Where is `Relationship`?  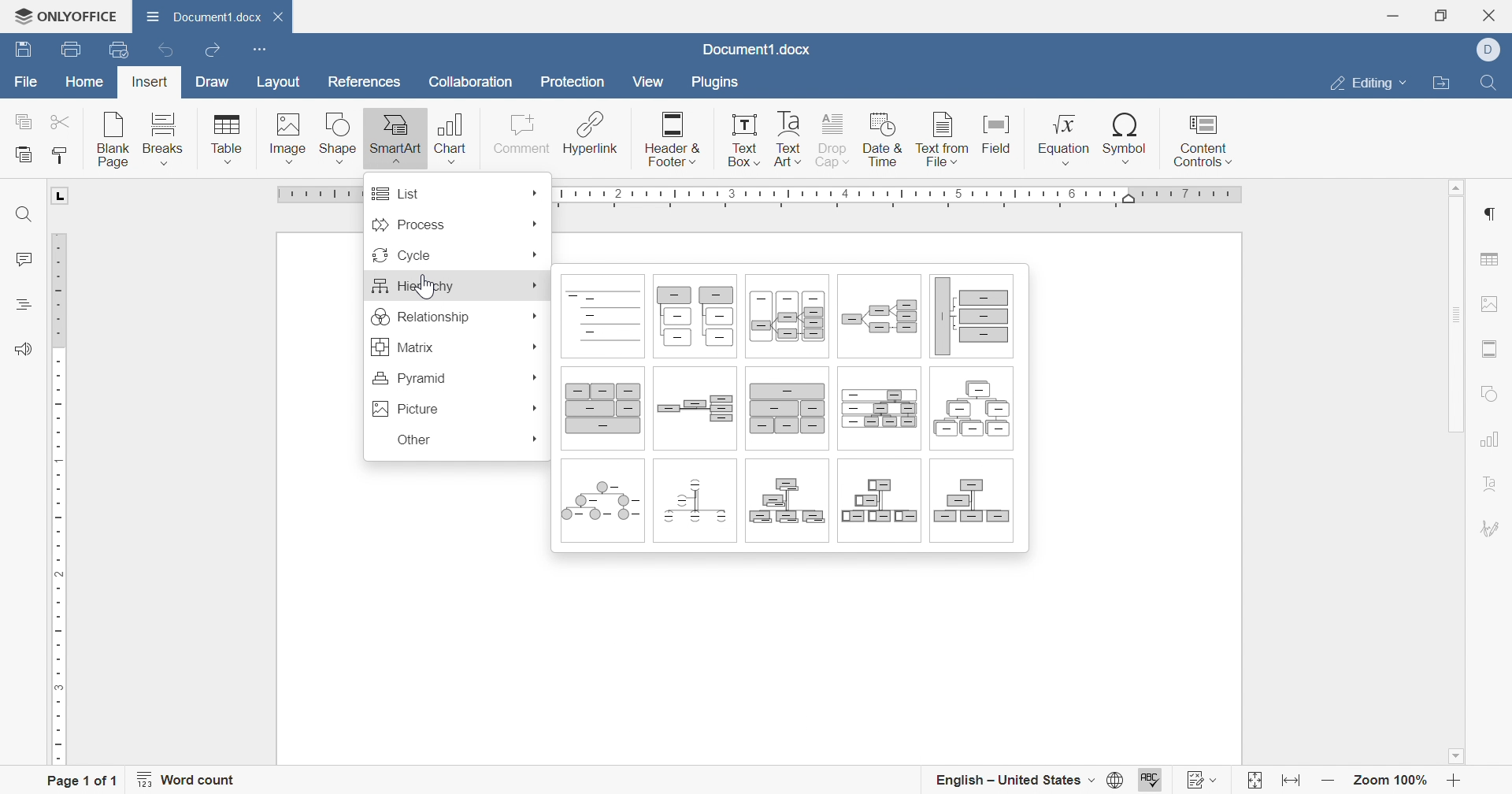 Relationship is located at coordinates (420, 317).